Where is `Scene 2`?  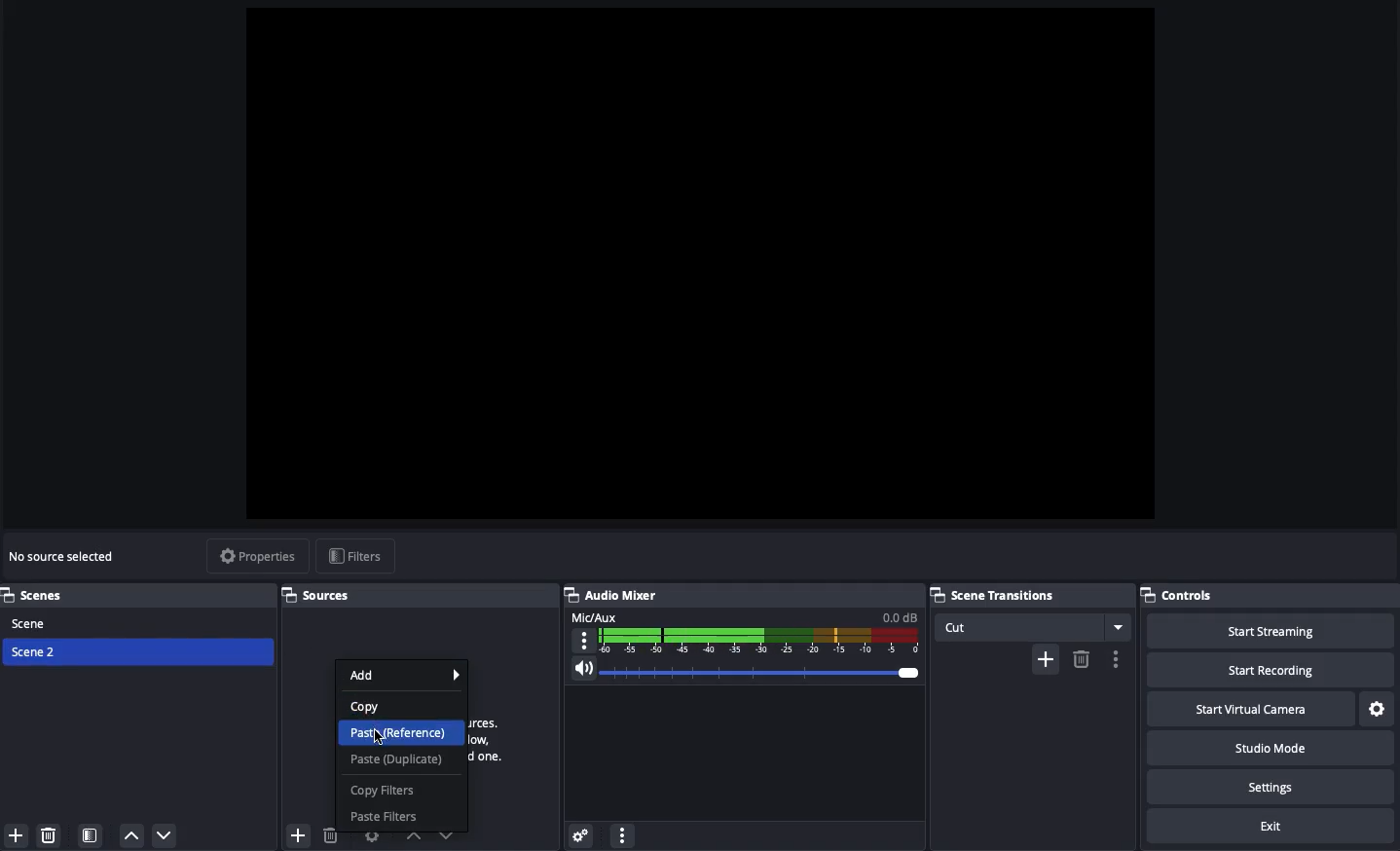
Scene 2 is located at coordinates (35, 650).